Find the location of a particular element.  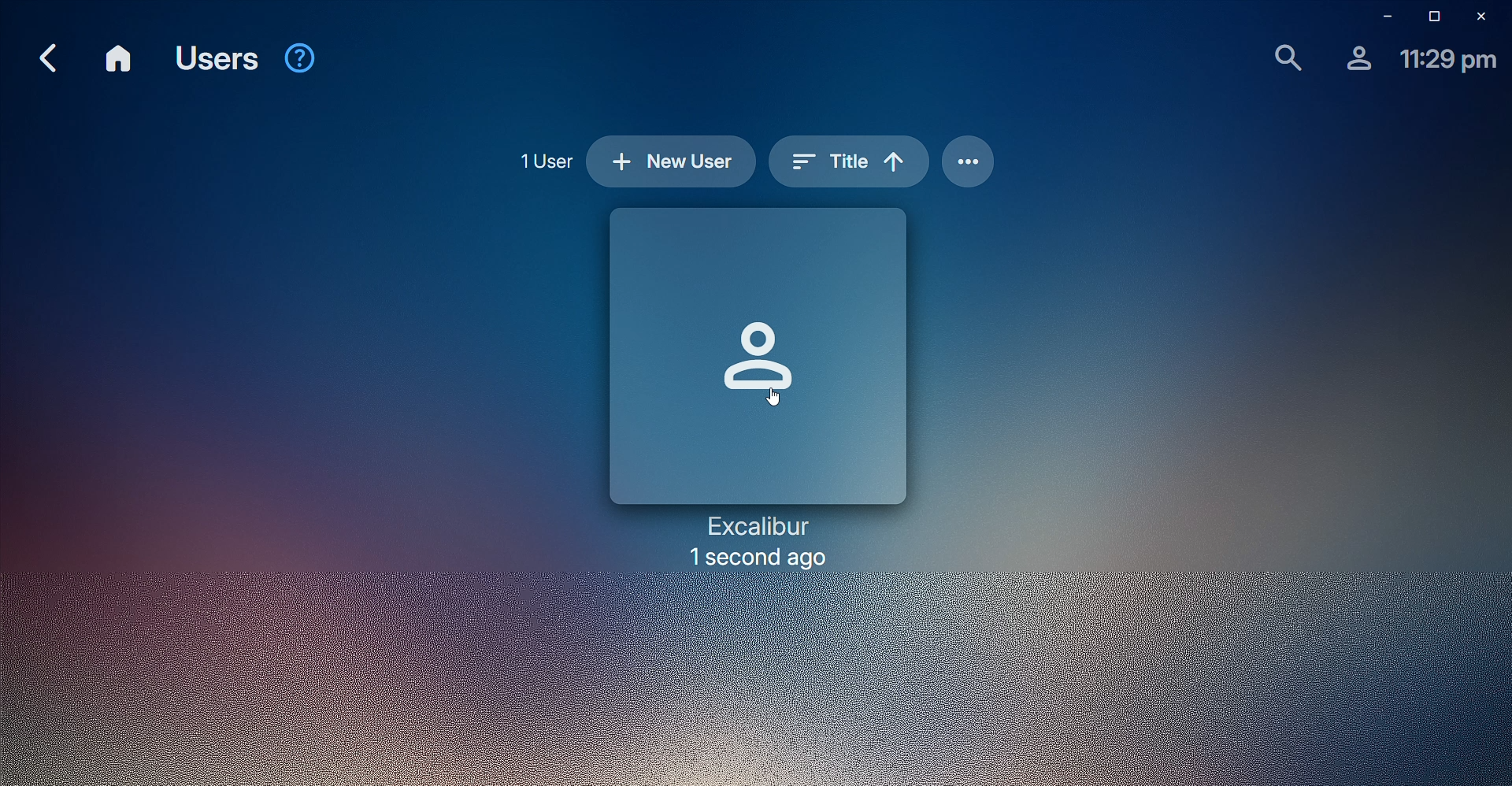

Users is located at coordinates (218, 62).